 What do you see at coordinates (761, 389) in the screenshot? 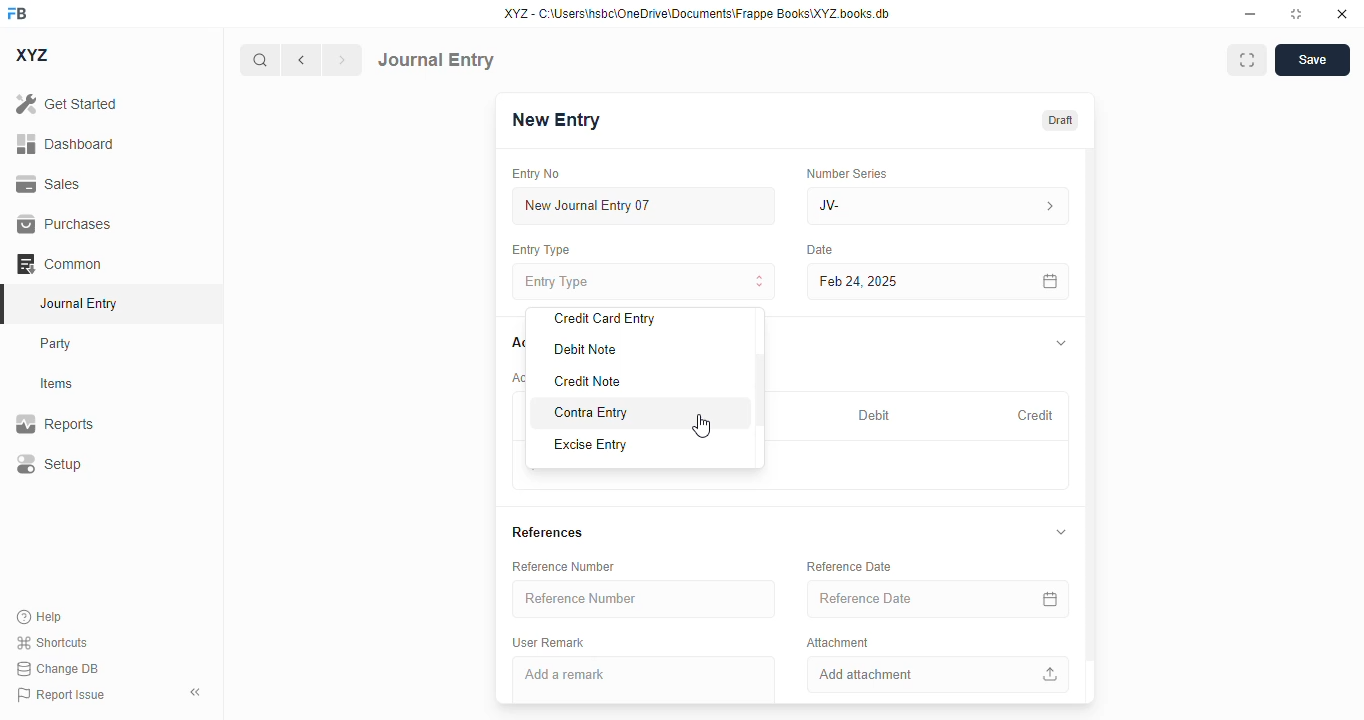
I see `scroll bar` at bounding box center [761, 389].